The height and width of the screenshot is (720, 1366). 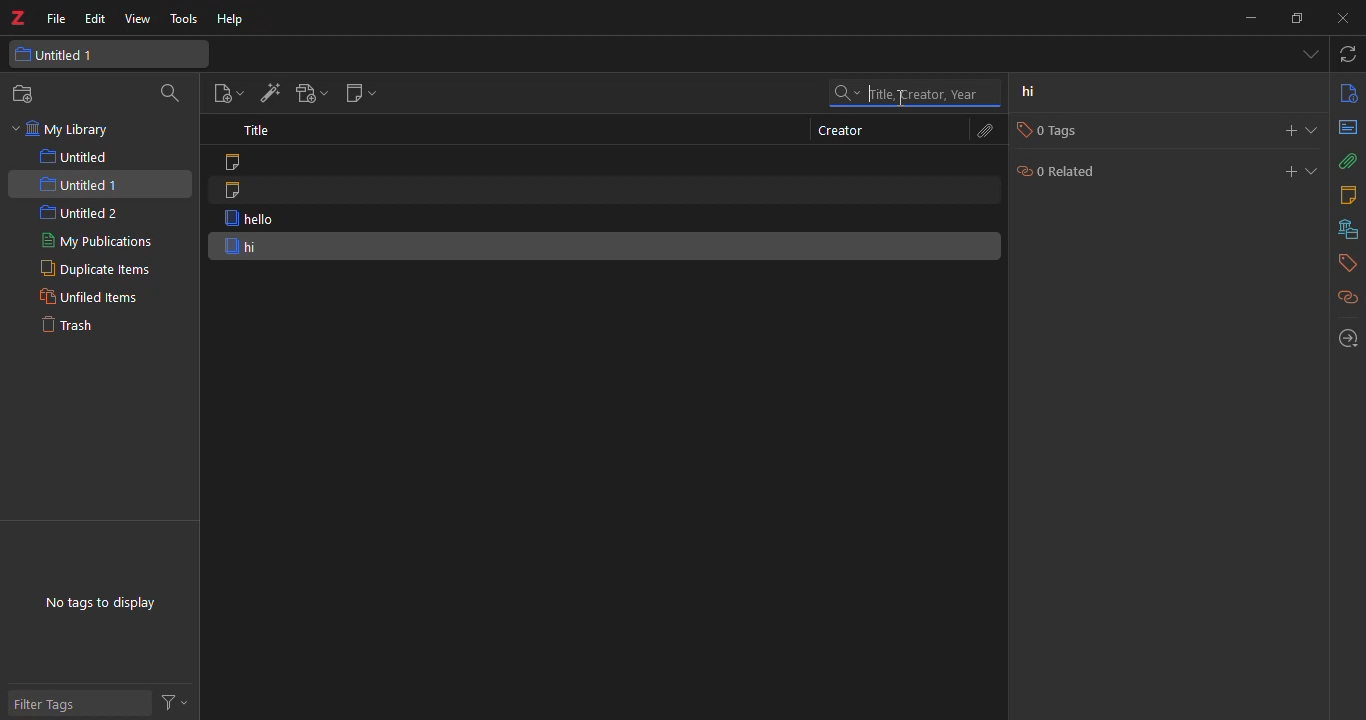 I want to click on untitled, so click(x=78, y=157).